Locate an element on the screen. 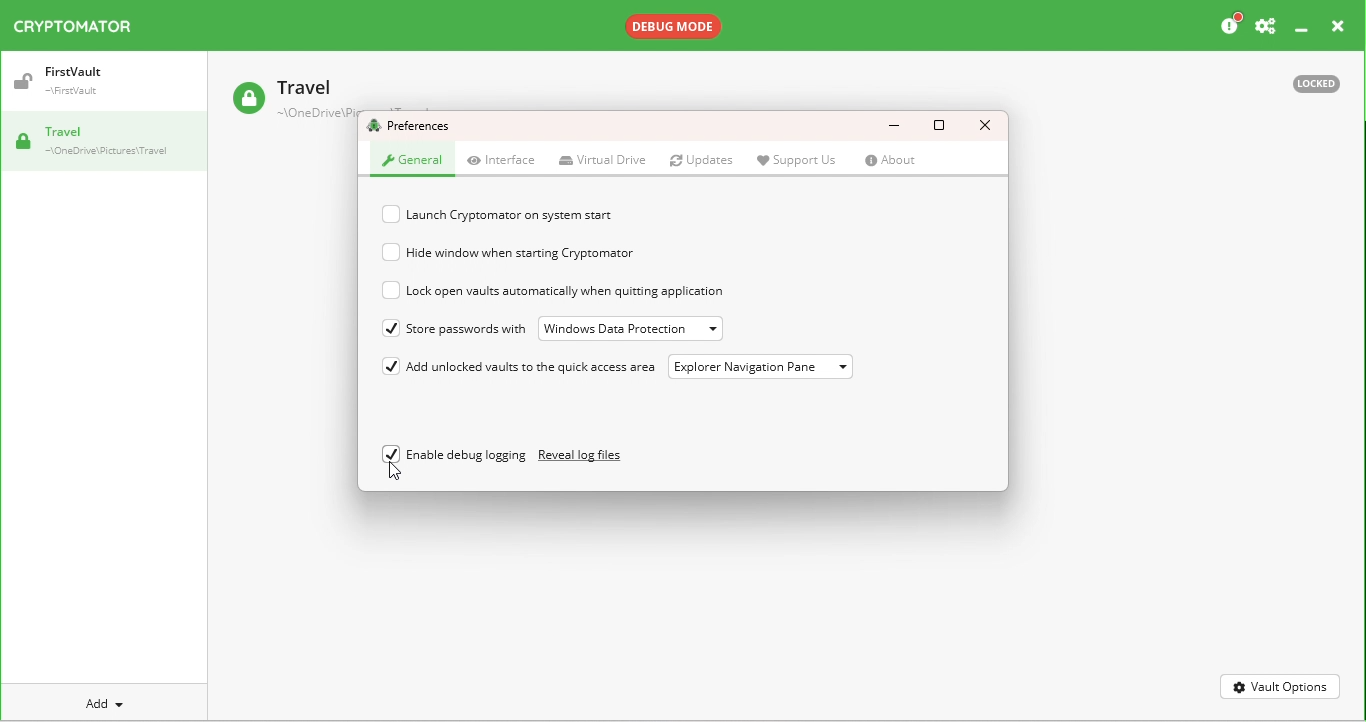 The height and width of the screenshot is (722, 1366). Travel is located at coordinates (110, 142).